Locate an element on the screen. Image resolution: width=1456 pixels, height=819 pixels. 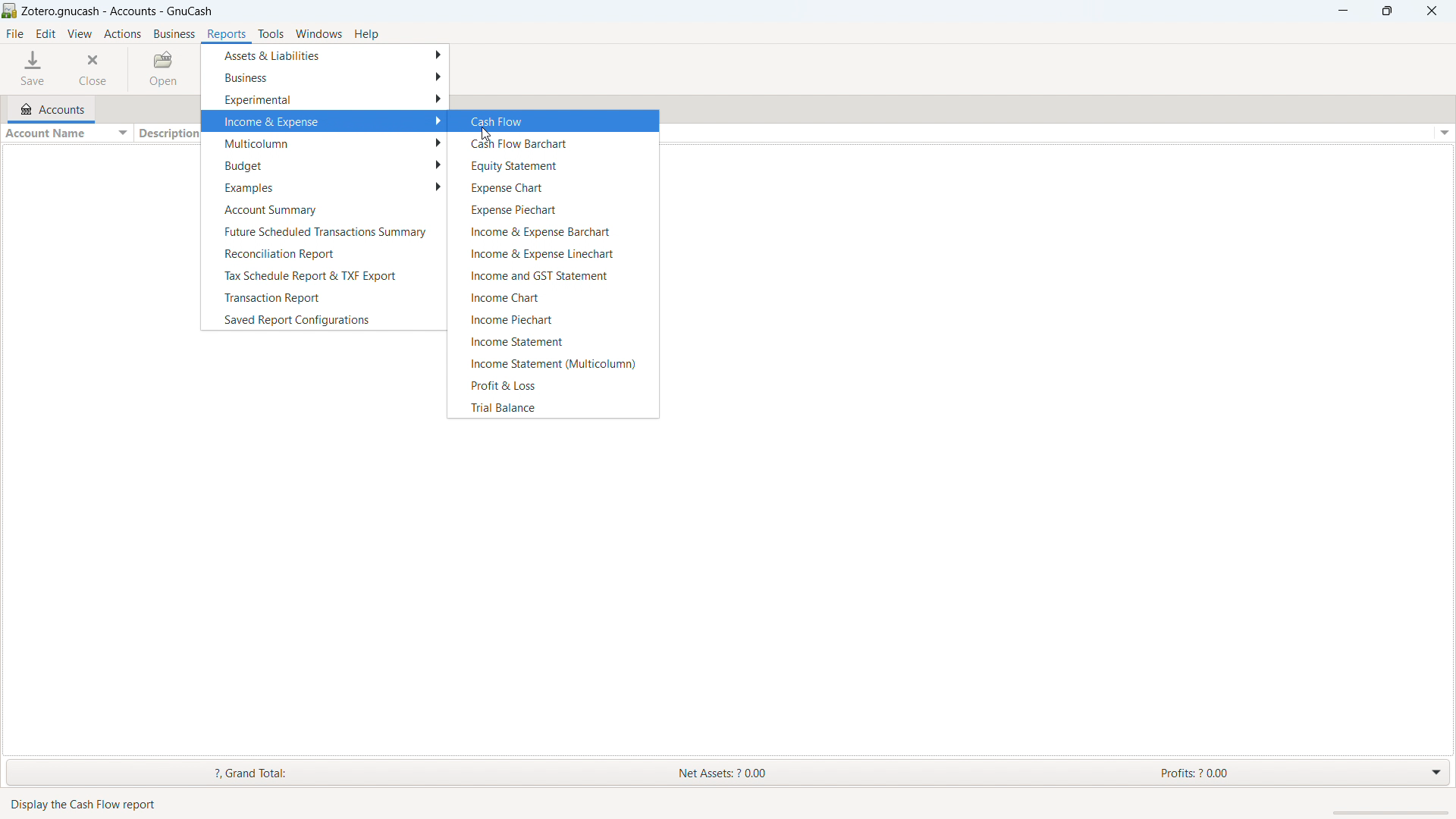
edit is located at coordinates (46, 33).